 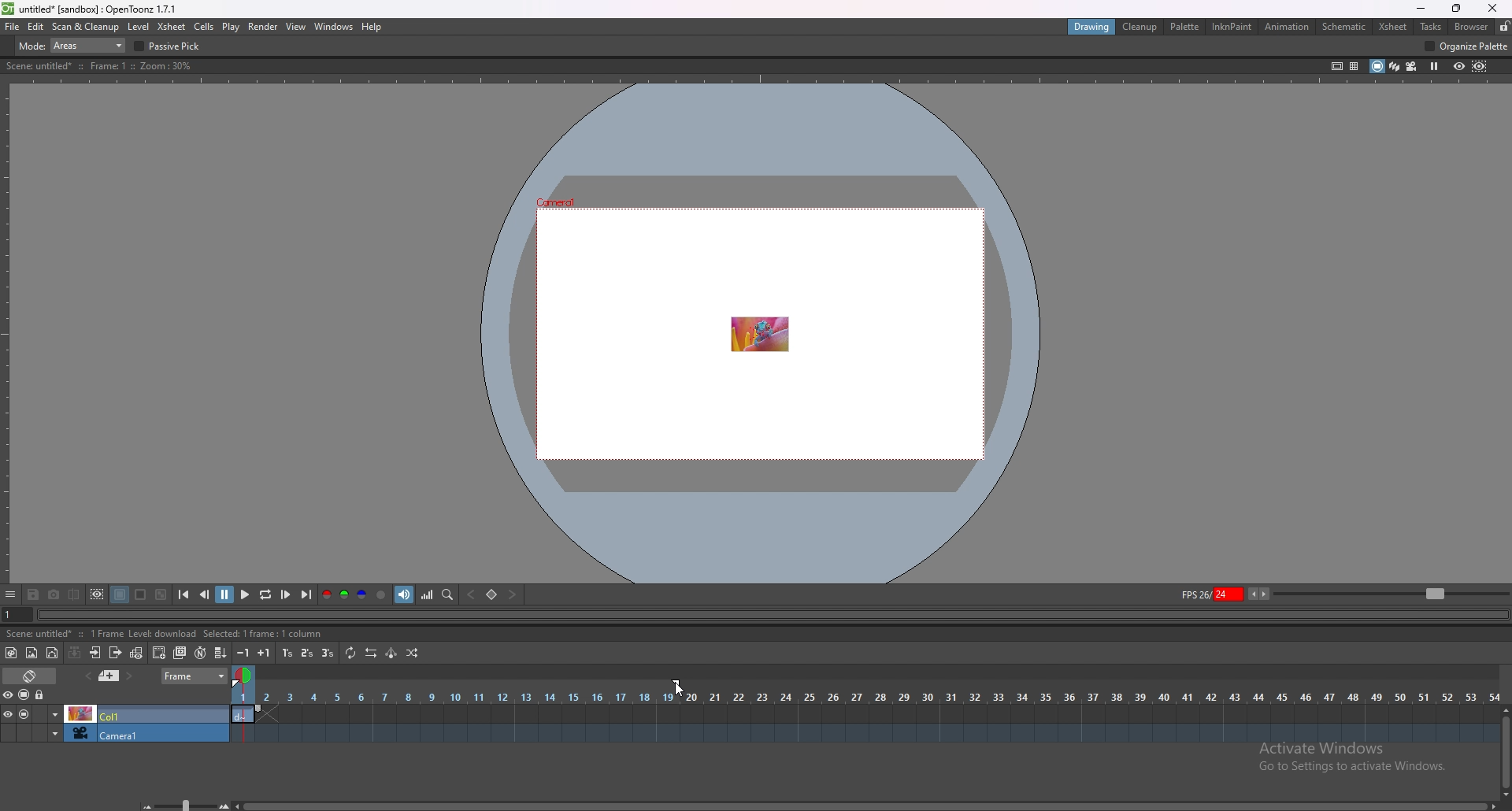 I want to click on freeze, so click(x=1435, y=67).